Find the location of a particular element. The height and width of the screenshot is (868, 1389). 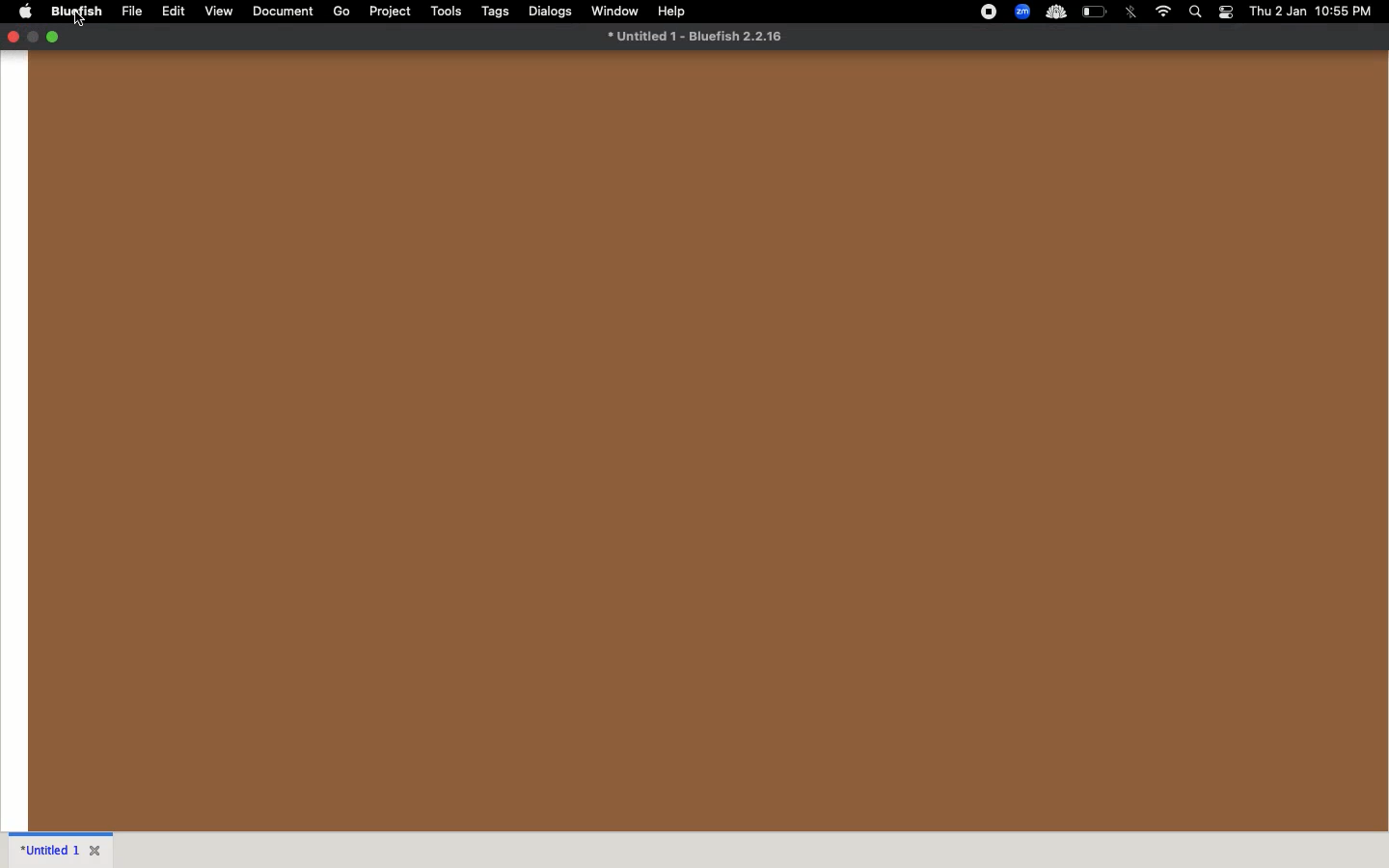

cursor is located at coordinates (80, 19).